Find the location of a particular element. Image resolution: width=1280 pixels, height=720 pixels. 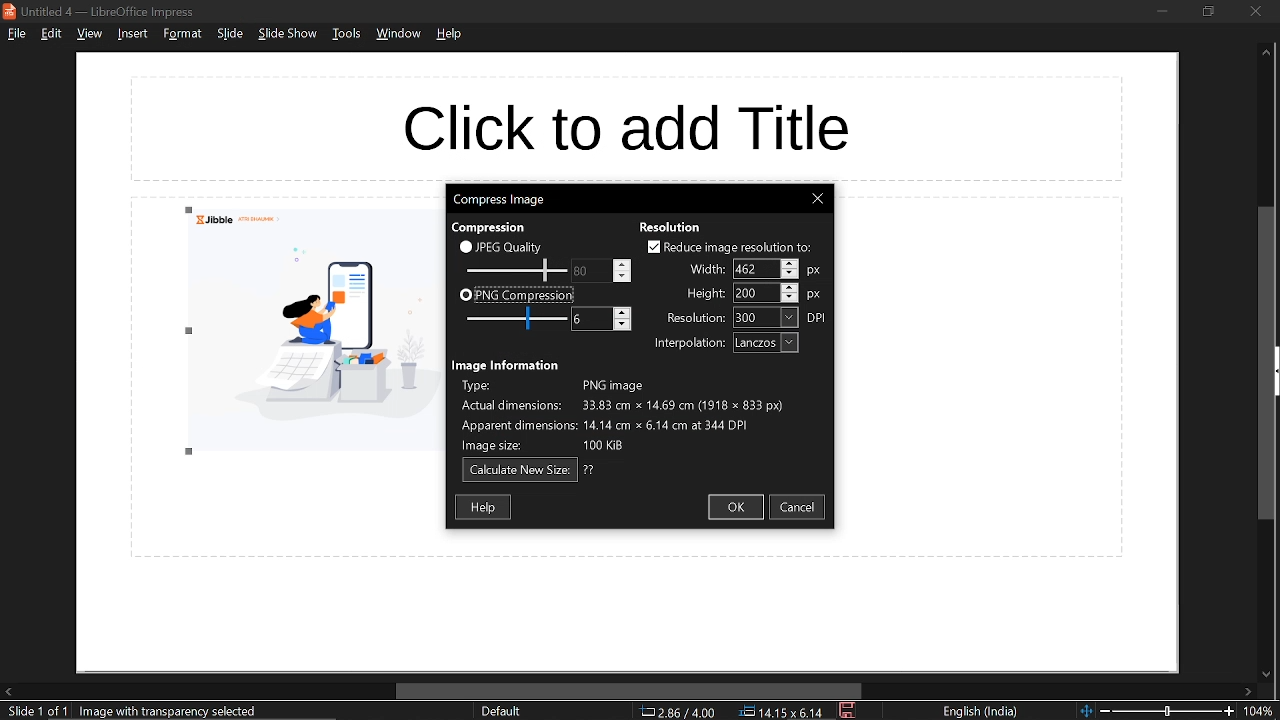

slide style is located at coordinates (501, 711).